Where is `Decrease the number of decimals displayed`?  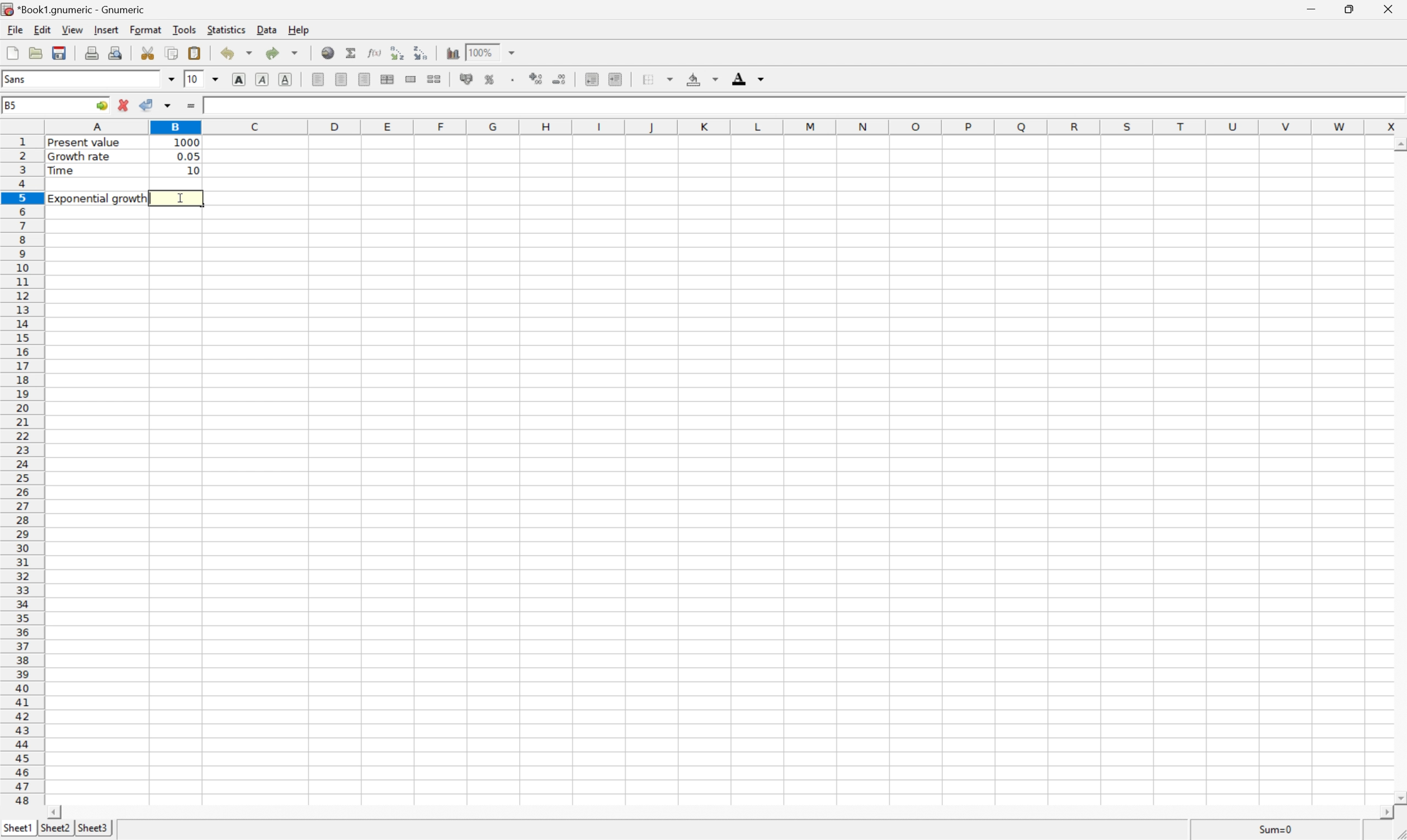
Decrease the number of decimals displayed is located at coordinates (559, 79).